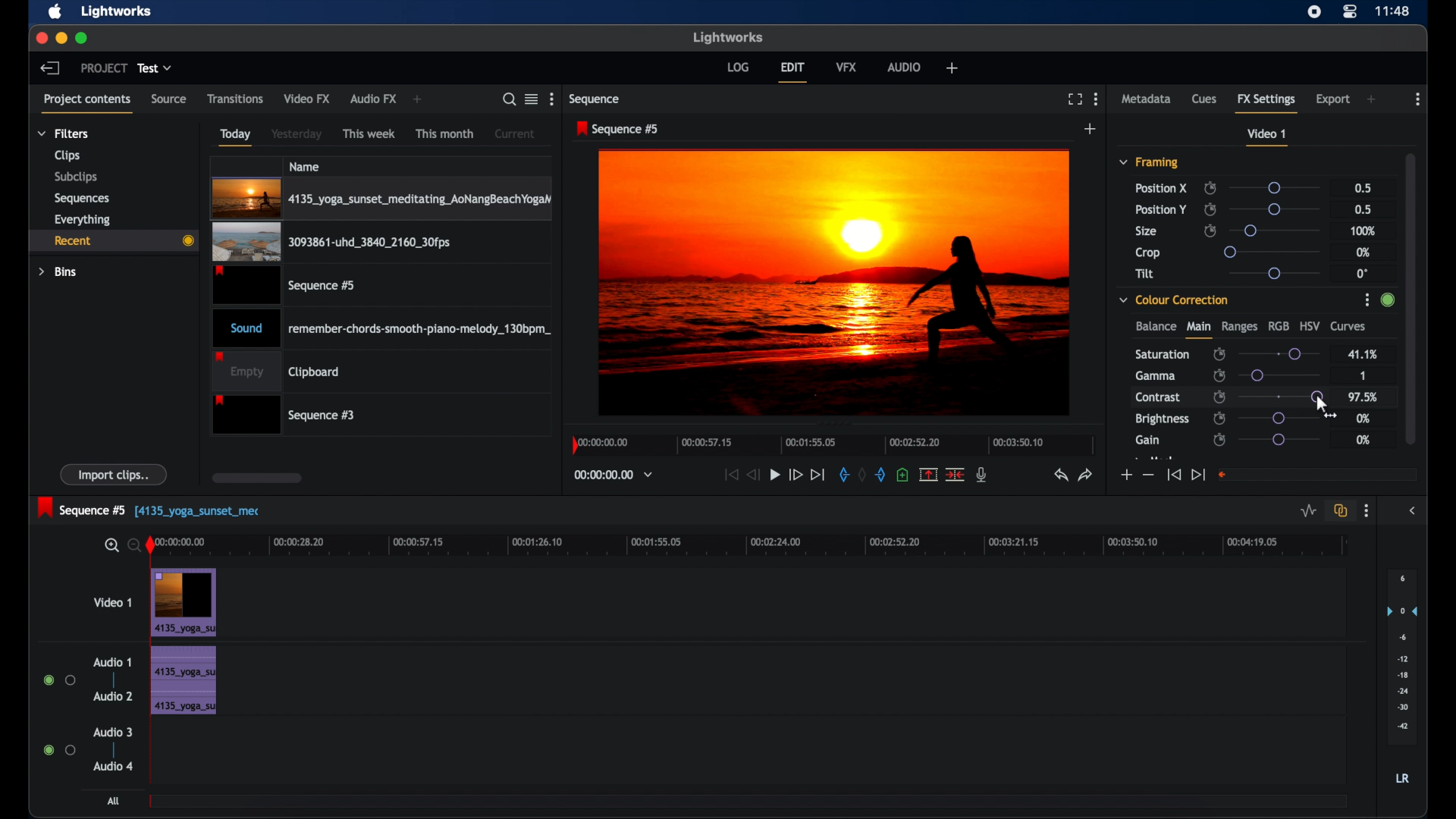  Describe the element at coordinates (331, 243) in the screenshot. I see `video clip` at that location.